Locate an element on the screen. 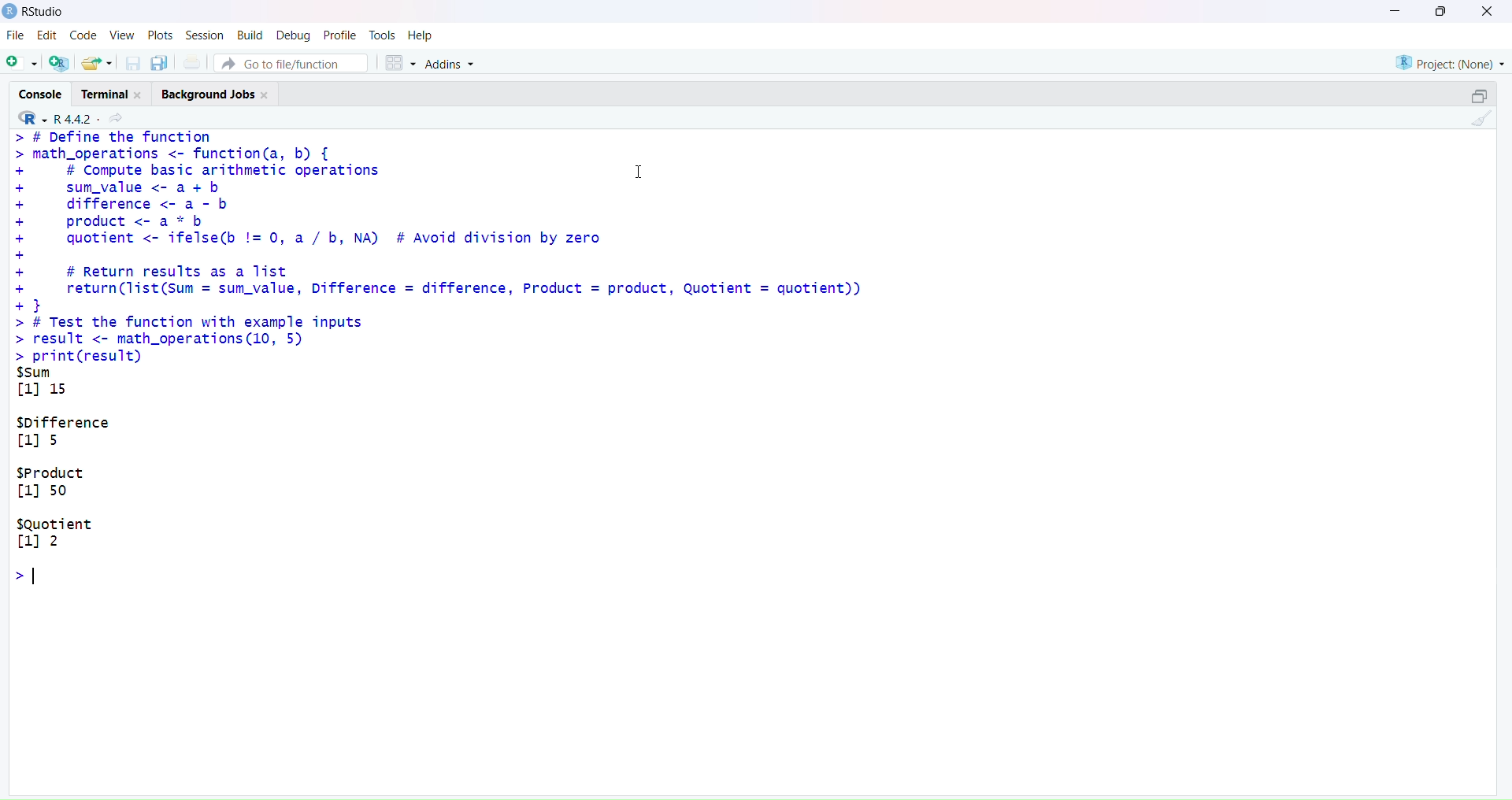  Project (Note) is located at coordinates (1449, 61).